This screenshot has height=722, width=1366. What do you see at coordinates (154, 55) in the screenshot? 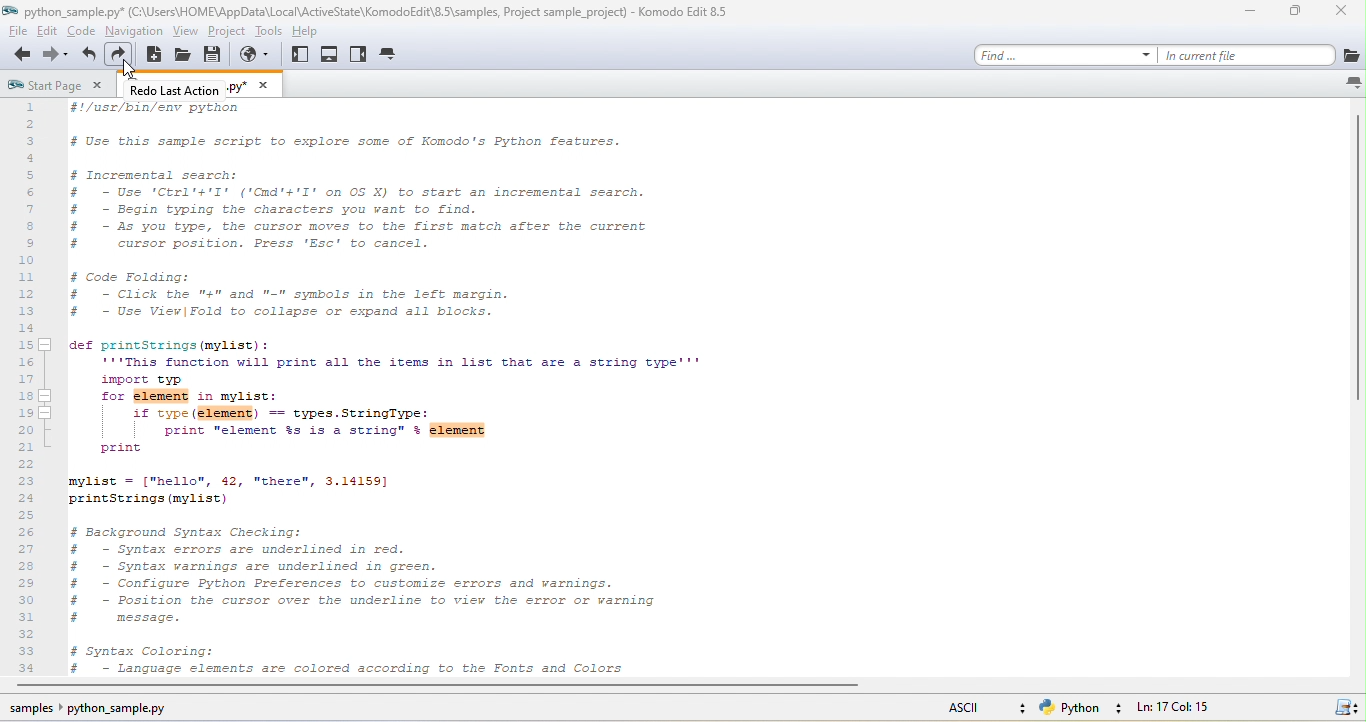
I see `new` at bounding box center [154, 55].